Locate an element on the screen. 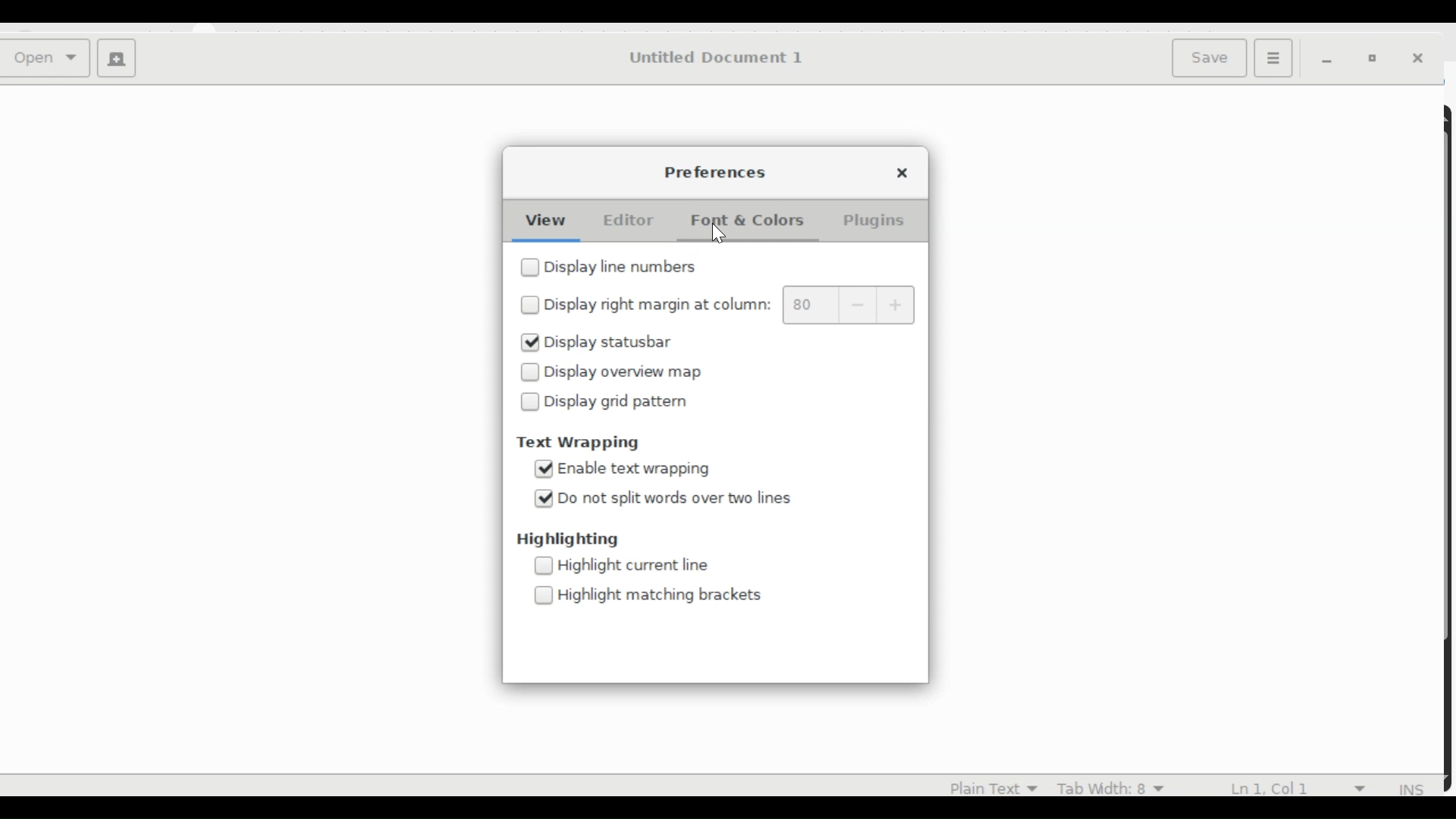  Higlighting is located at coordinates (565, 541).